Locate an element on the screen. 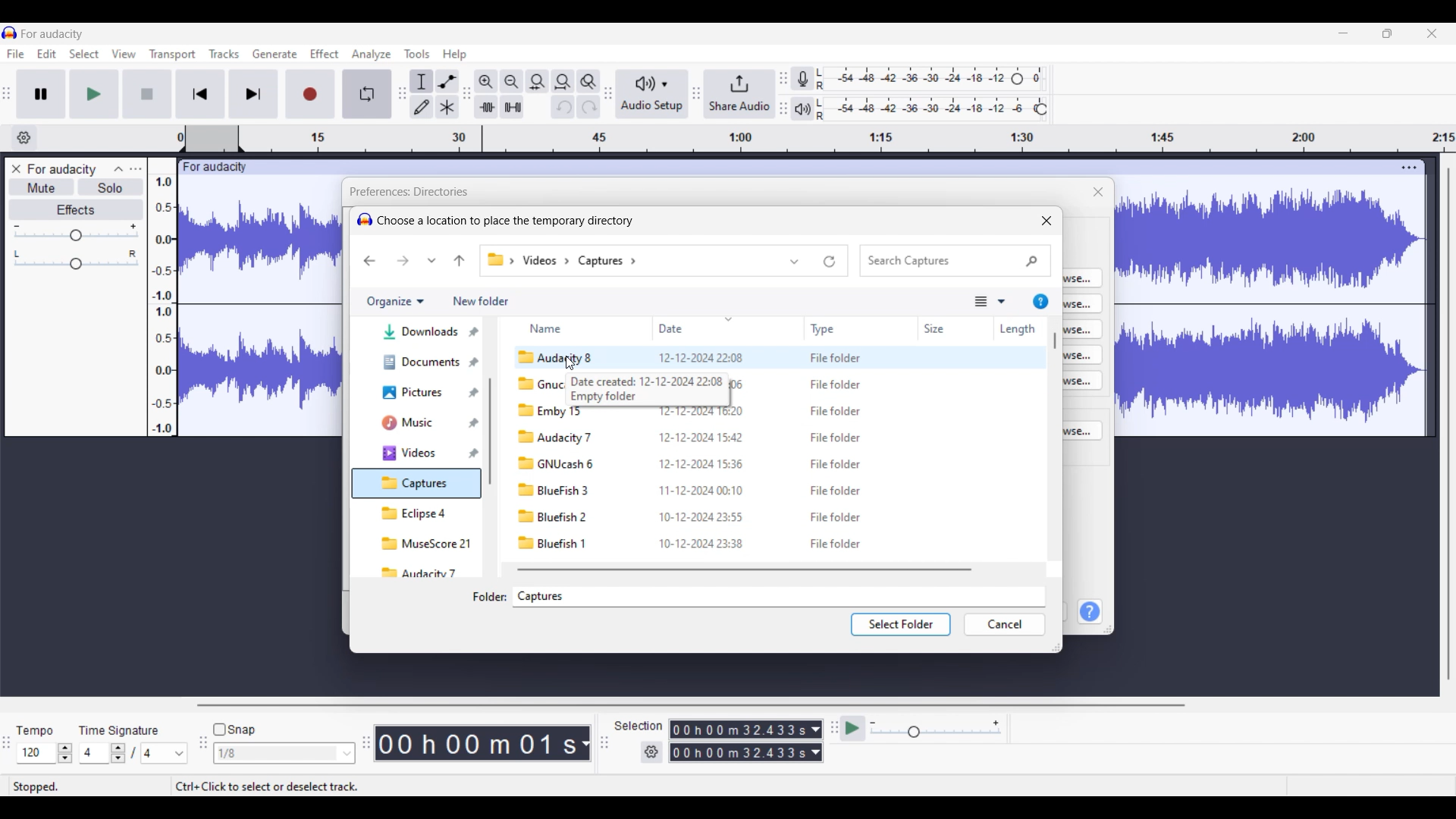  Zoom out is located at coordinates (512, 82).